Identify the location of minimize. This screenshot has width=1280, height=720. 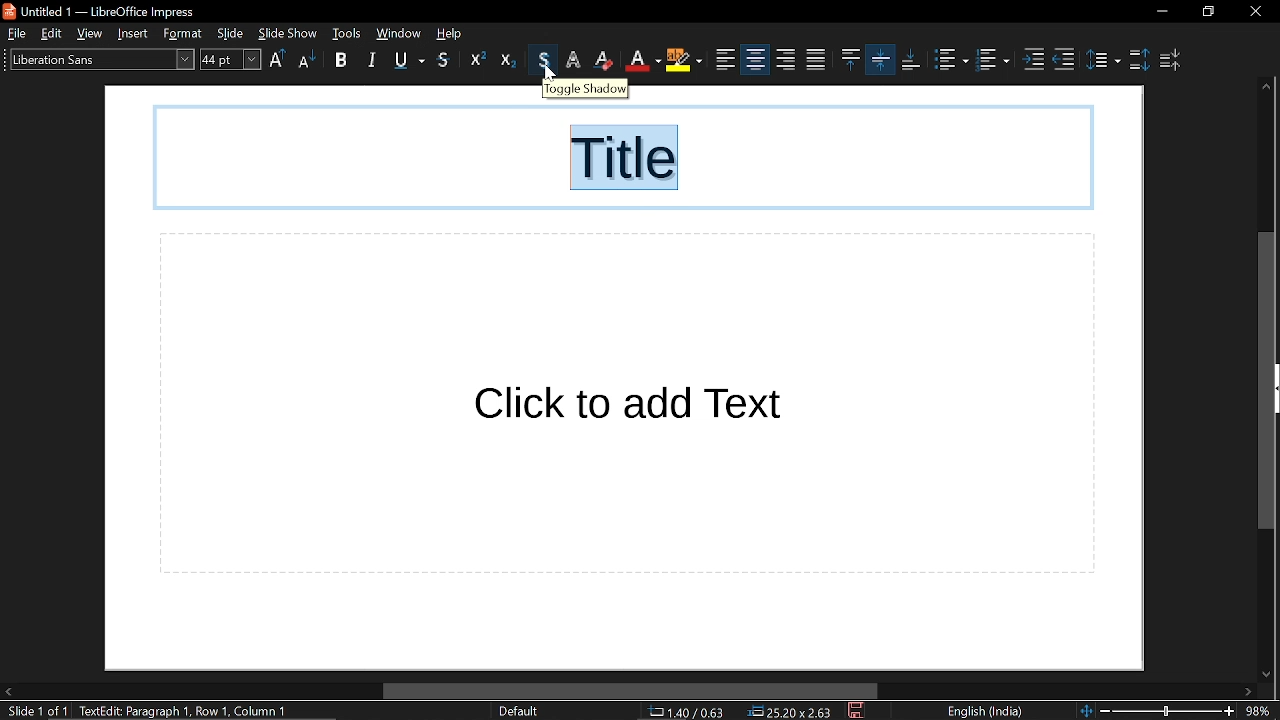
(1161, 12).